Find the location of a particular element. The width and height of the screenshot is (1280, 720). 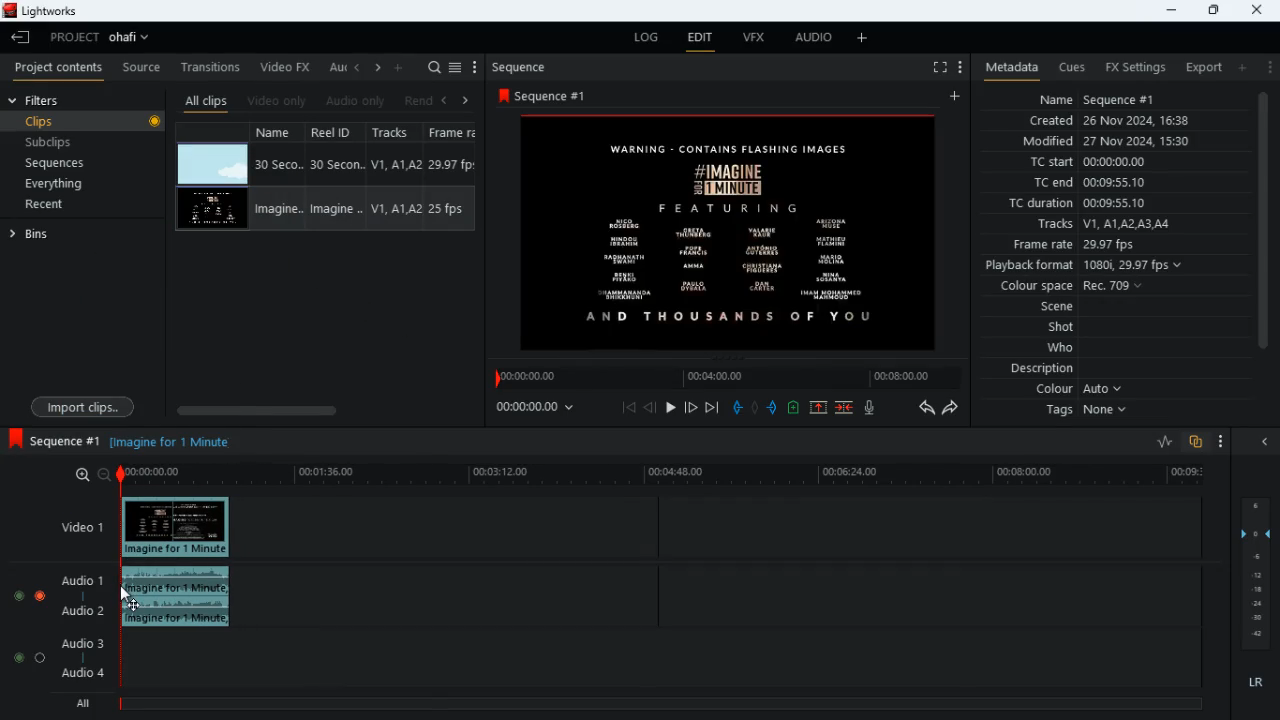

tracks is located at coordinates (1102, 225).